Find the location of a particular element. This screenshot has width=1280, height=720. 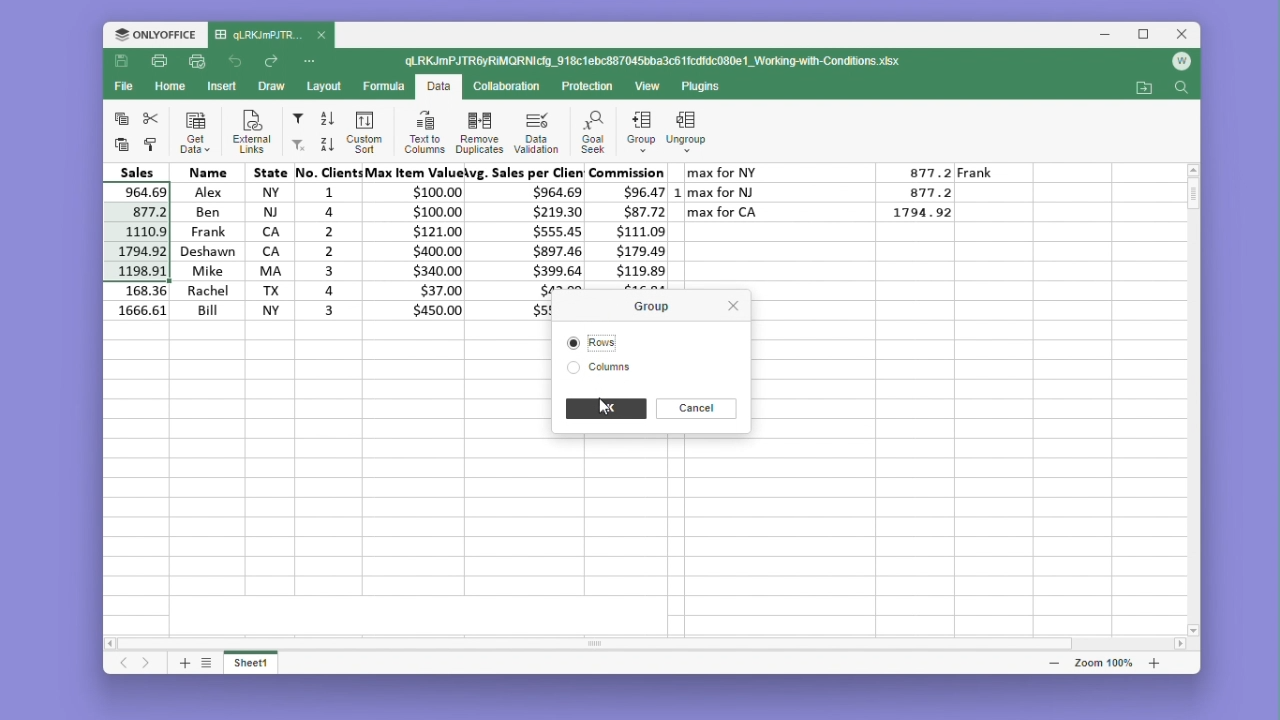

Previous sheet is located at coordinates (125, 664).